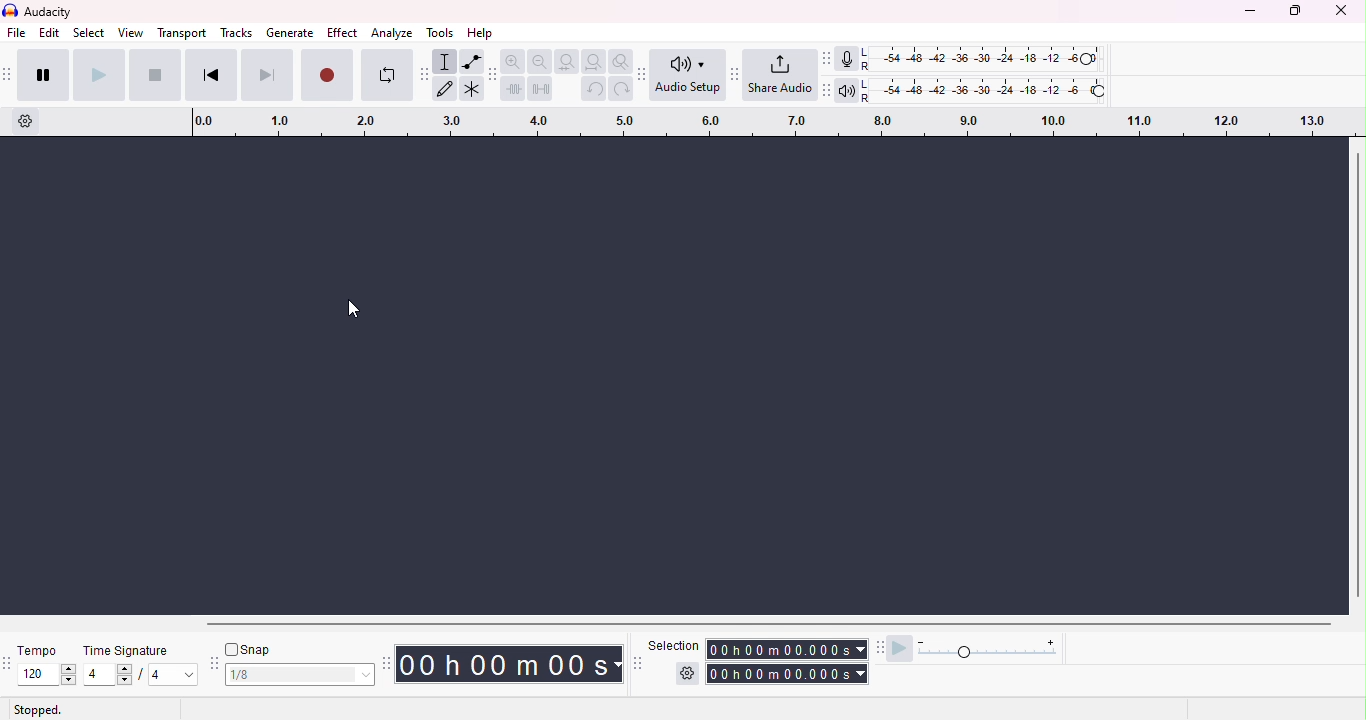  What do you see at coordinates (38, 710) in the screenshot?
I see `stopped` at bounding box center [38, 710].